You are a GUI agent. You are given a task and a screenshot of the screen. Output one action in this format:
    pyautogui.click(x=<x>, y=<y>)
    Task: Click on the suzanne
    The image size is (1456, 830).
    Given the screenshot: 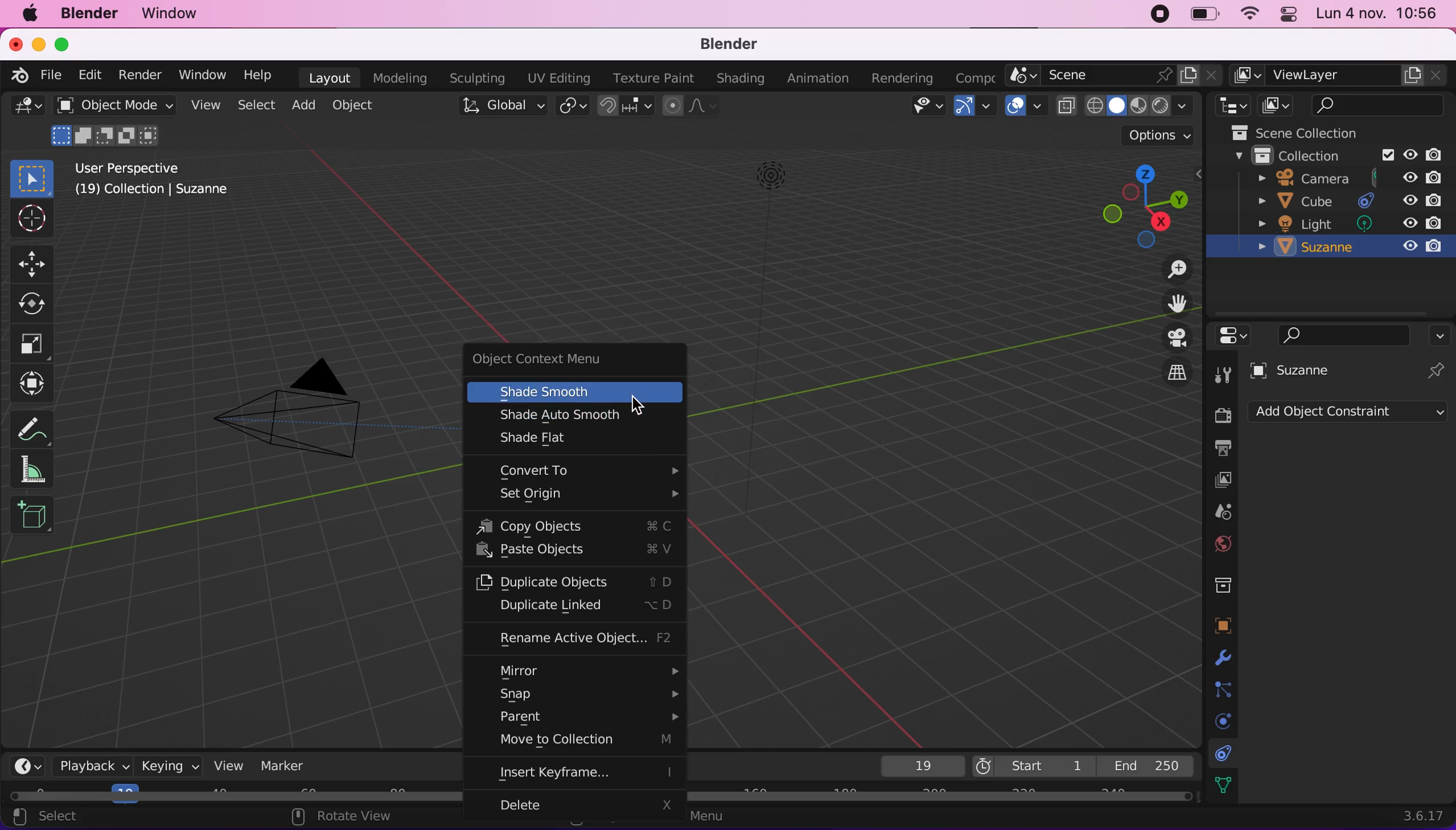 What is the action you would take?
    pyautogui.click(x=1348, y=247)
    